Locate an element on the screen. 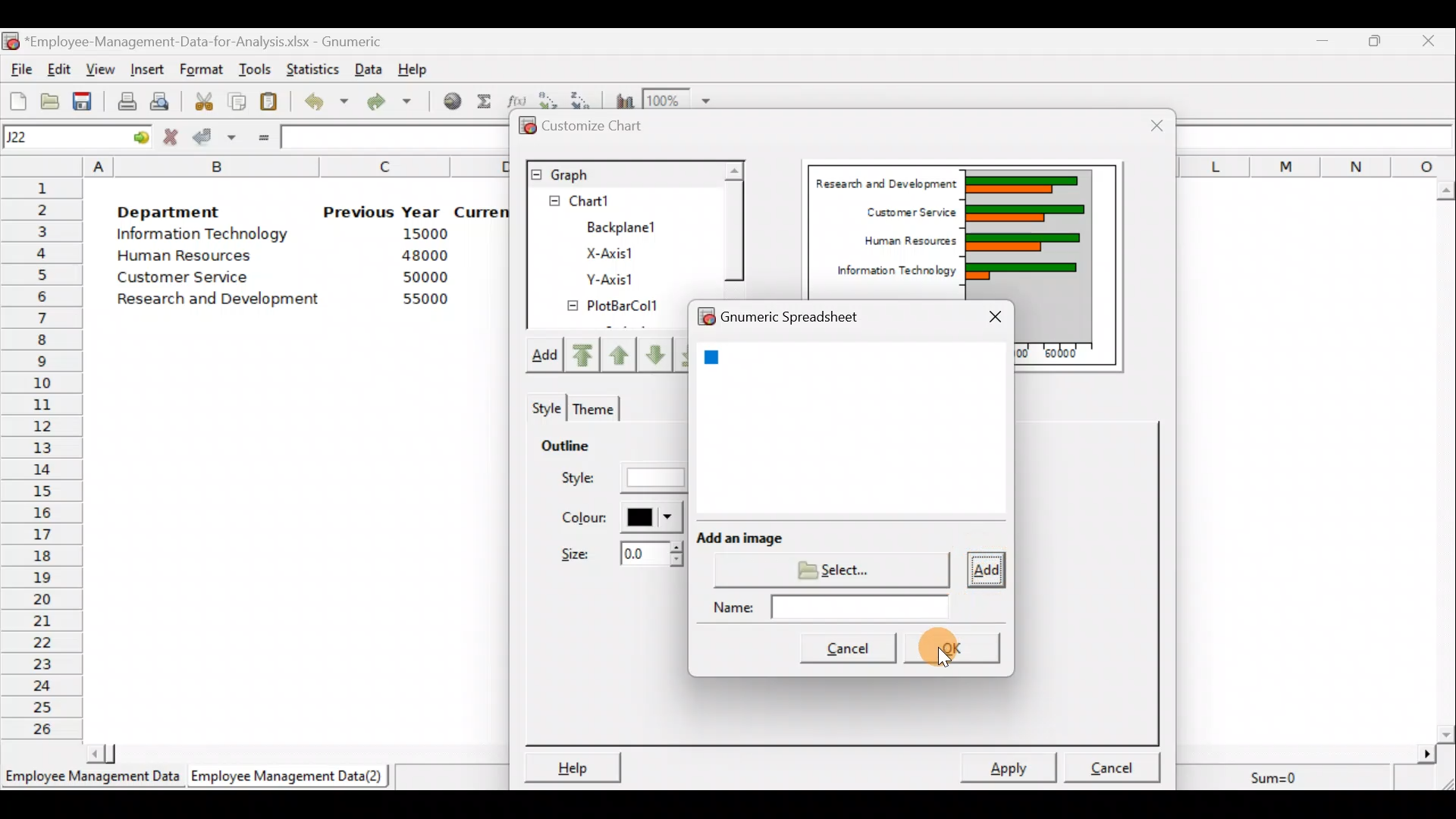  Cell name J22 is located at coordinates (58, 137).